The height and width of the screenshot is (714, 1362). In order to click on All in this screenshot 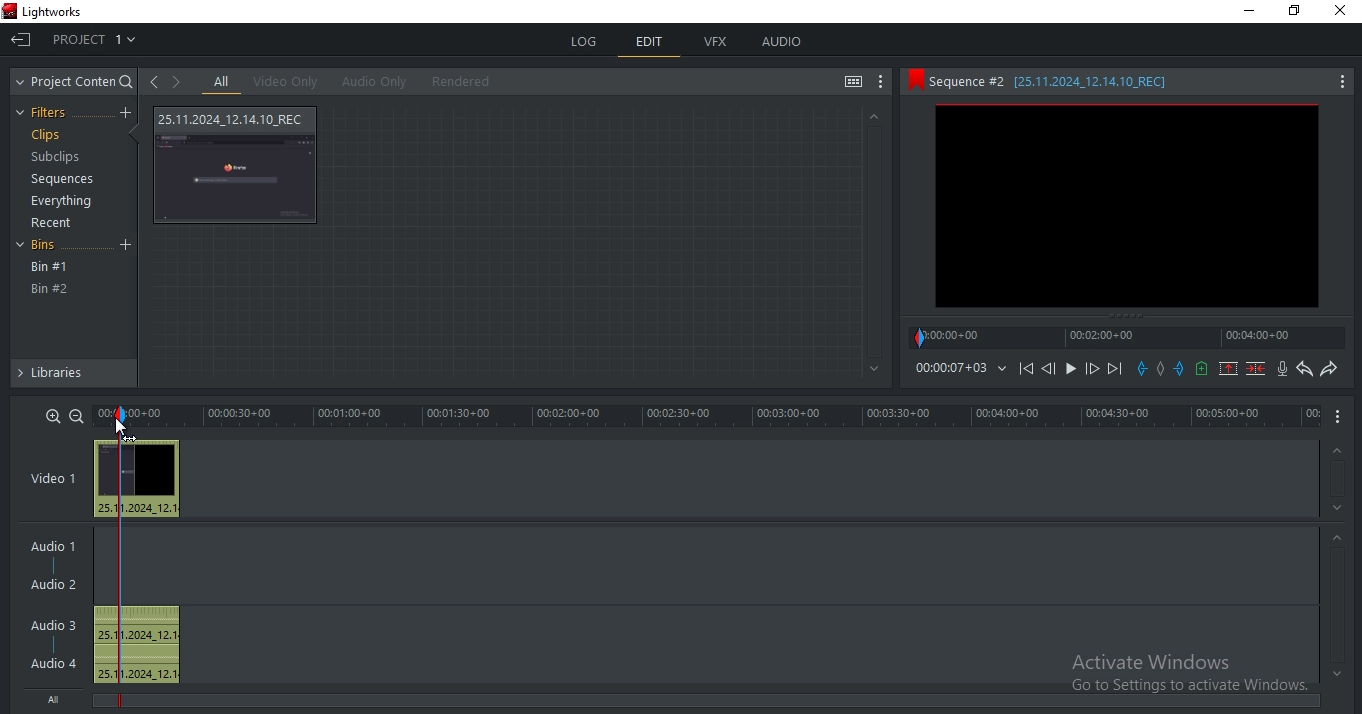, I will do `click(59, 701)`.